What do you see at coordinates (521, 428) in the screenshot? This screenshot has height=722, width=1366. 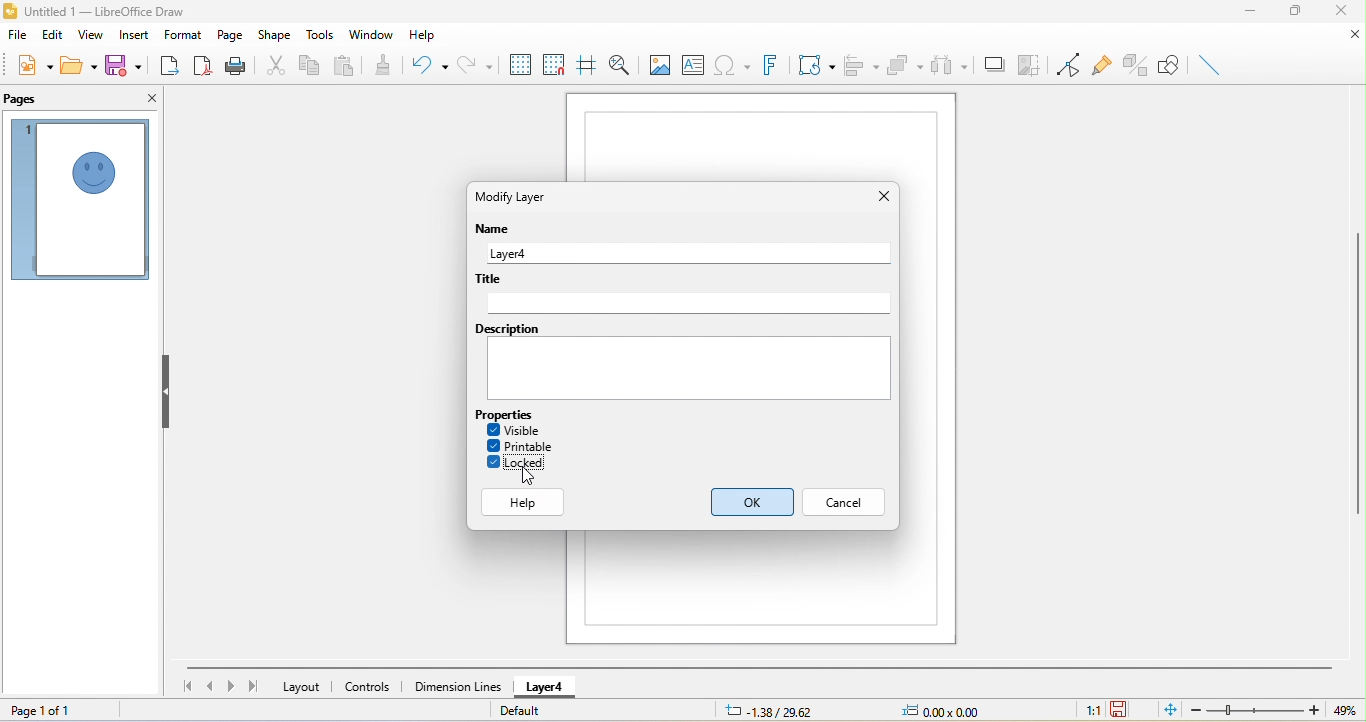 I see `visible` at bounding box center [521, 428].